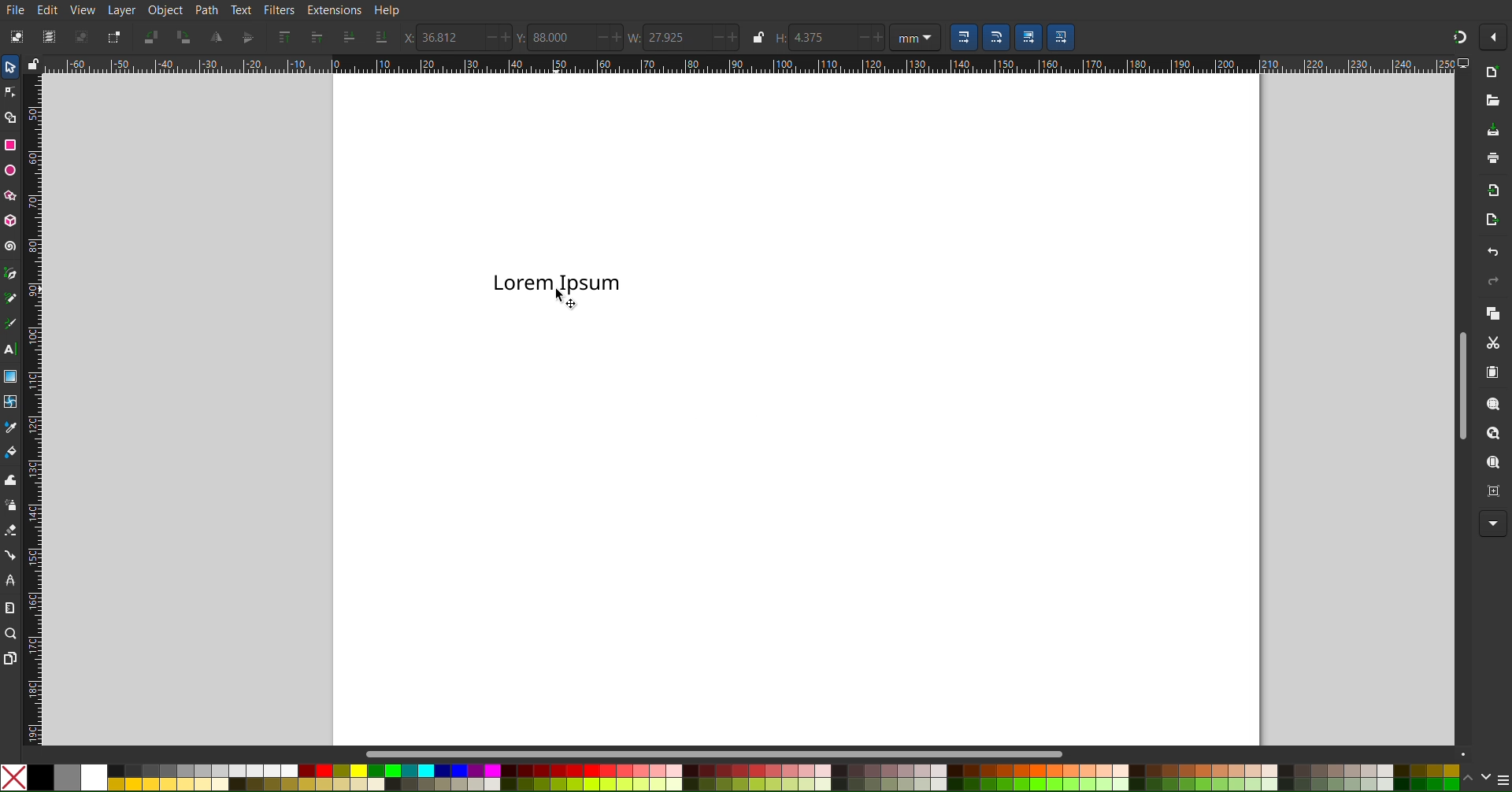  I want to click on Copy, so click(1492, 313).